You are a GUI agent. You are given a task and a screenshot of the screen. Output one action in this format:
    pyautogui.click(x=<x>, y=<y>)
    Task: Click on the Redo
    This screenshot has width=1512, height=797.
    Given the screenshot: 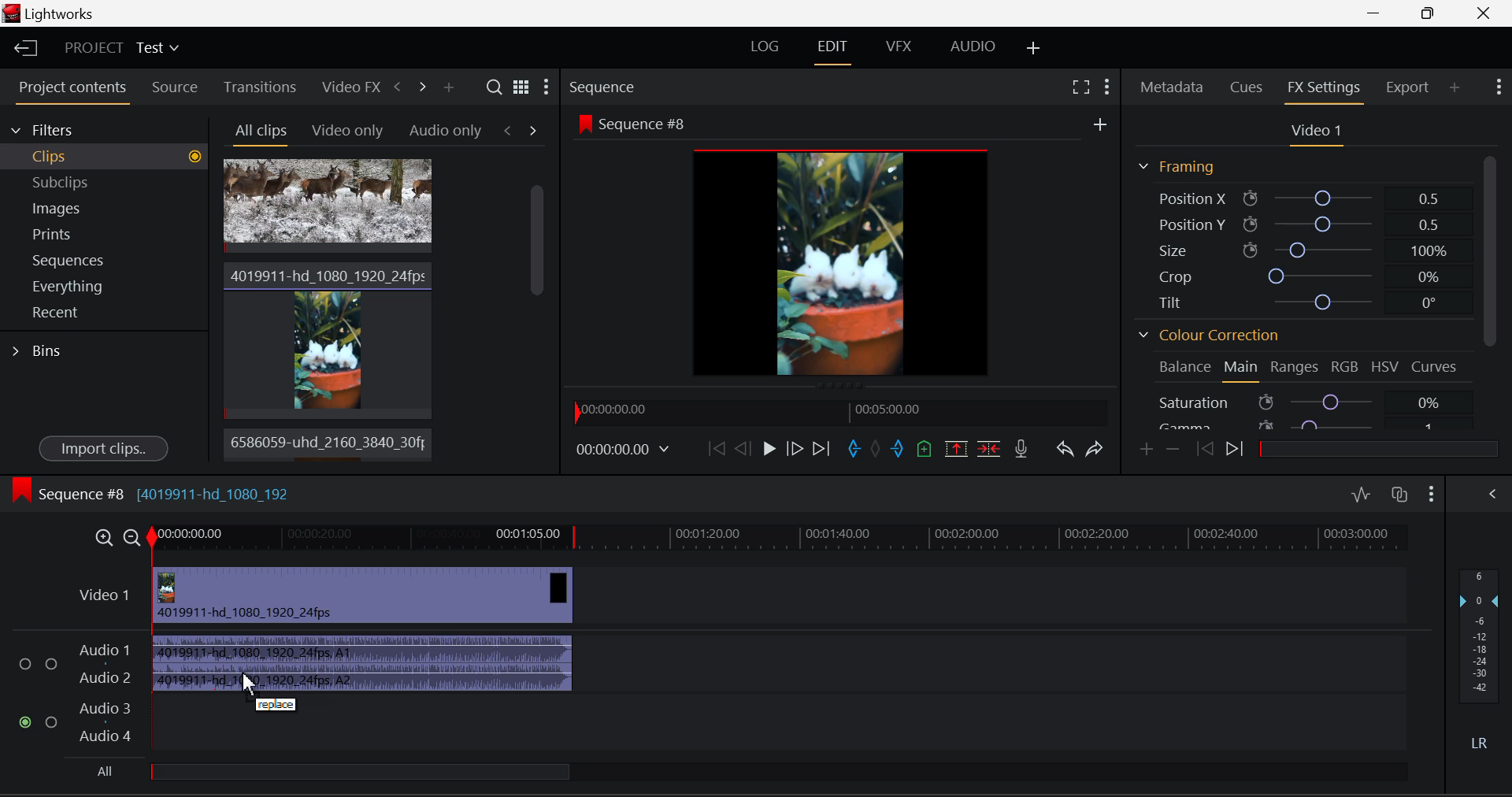 What is the action you would take?
    pyautogui.click(x=1097, y=449)
    